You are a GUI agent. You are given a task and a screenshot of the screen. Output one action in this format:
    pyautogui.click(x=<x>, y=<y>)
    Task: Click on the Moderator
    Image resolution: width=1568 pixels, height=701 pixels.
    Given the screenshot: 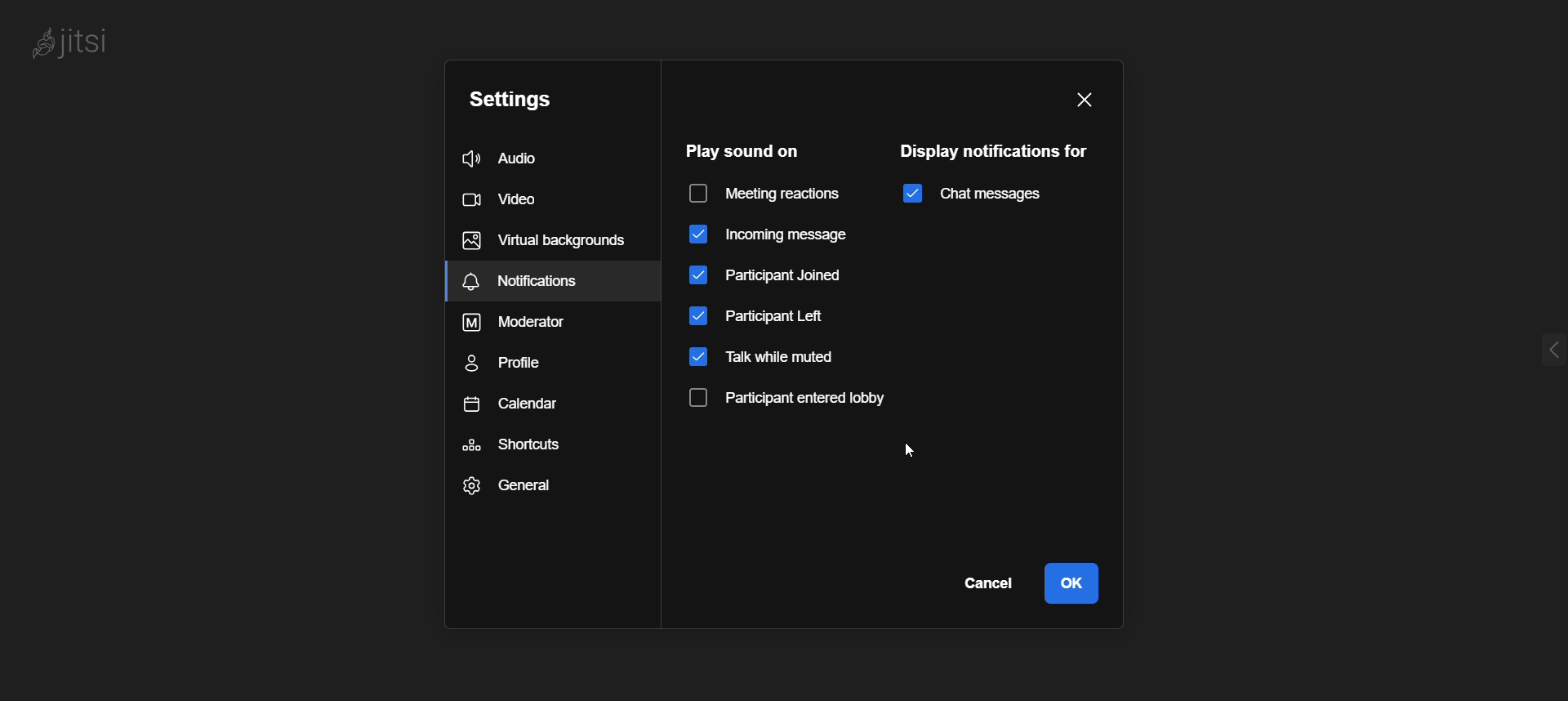 What is the action you would take?
    pyautogui.click(x=527, y=323)
    